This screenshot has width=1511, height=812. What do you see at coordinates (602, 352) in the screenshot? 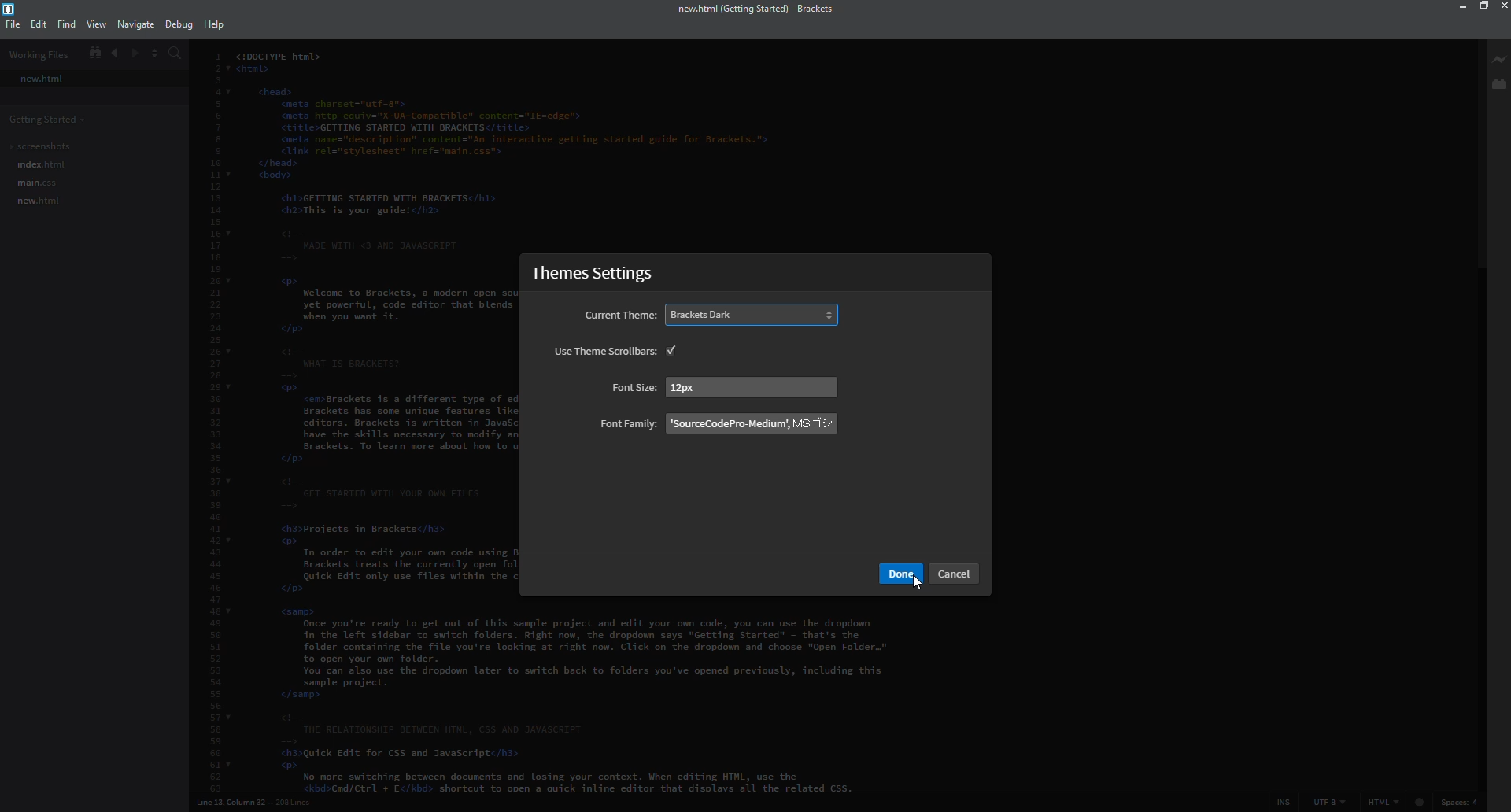
I see `use themes scrollbar` at bounding box center [602, 352].